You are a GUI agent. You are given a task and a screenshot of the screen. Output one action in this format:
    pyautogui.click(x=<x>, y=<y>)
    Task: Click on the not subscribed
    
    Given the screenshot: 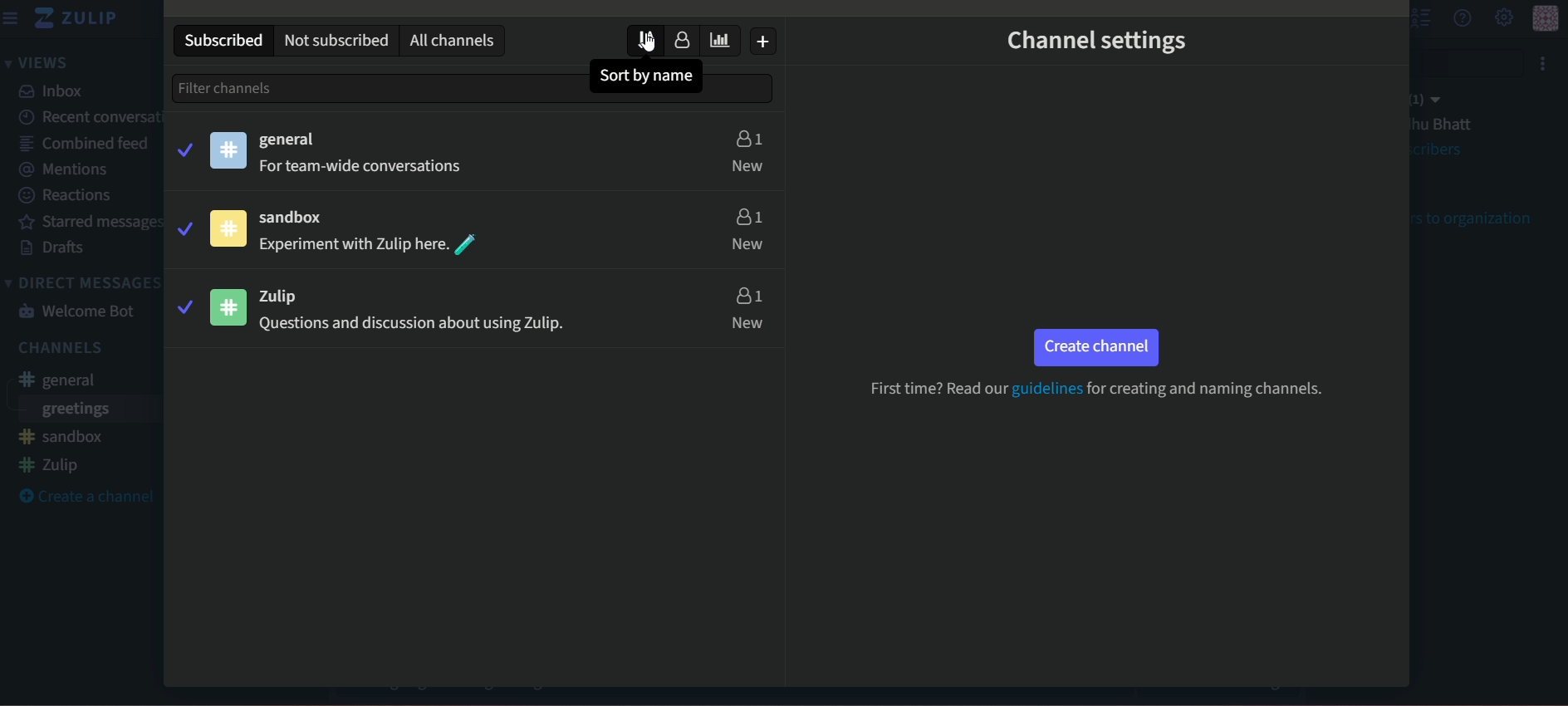 What is the action you would take?
    pyautogui.click(x=336, y=41)
    